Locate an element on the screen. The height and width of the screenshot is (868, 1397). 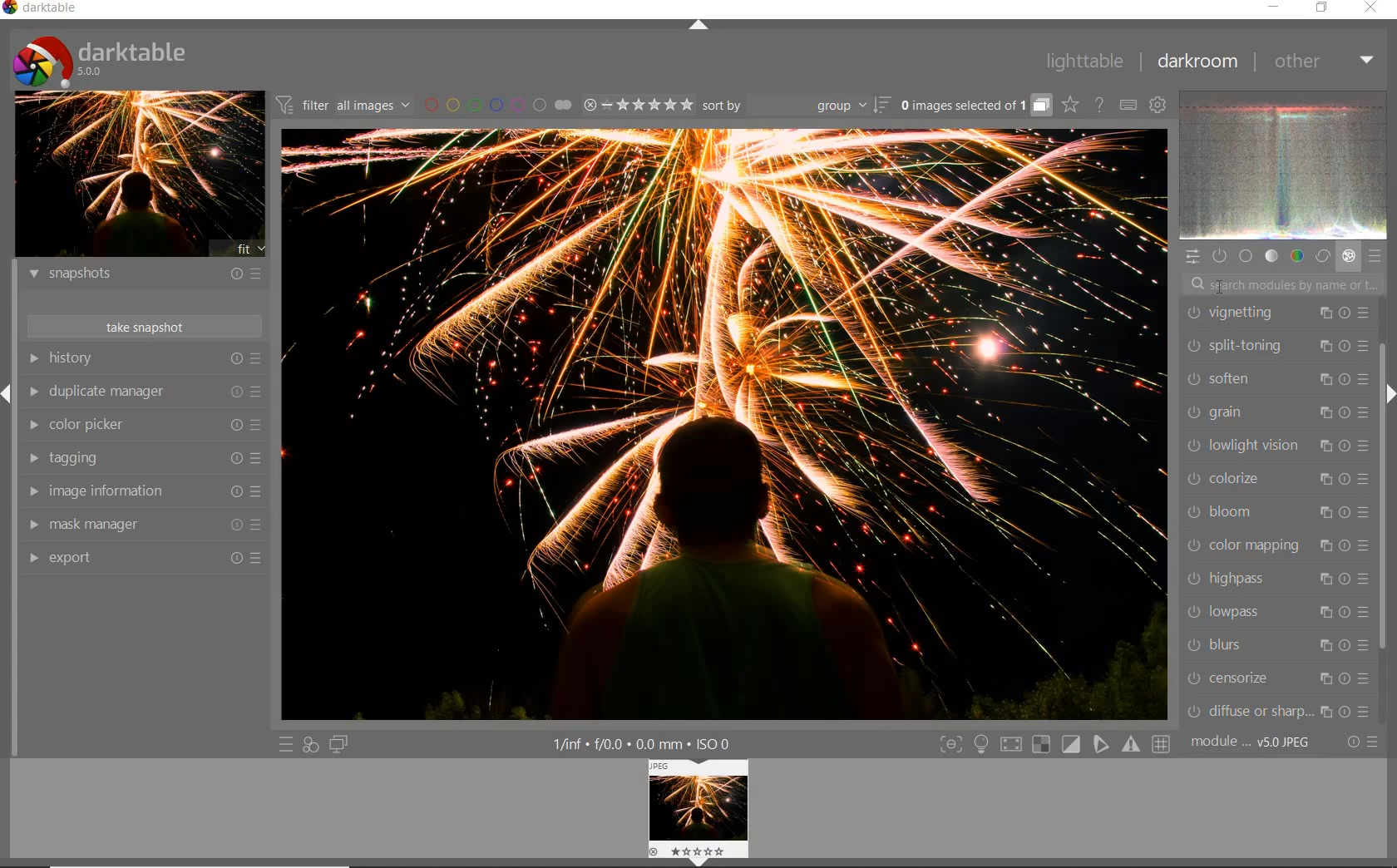
enable online help is located at coordinates (1102, 106).